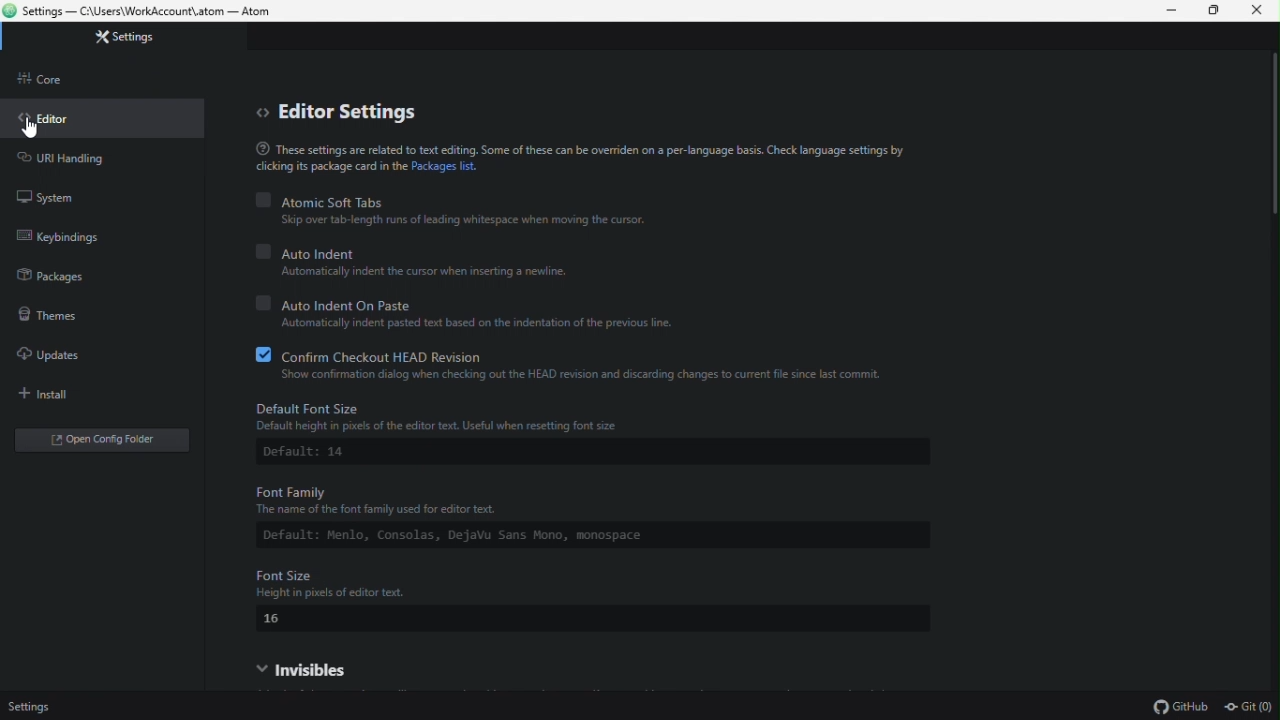  What do you see at coordinates (1246, 706) in the screenshot?
I see `git` at bounding box center [1246, 706].